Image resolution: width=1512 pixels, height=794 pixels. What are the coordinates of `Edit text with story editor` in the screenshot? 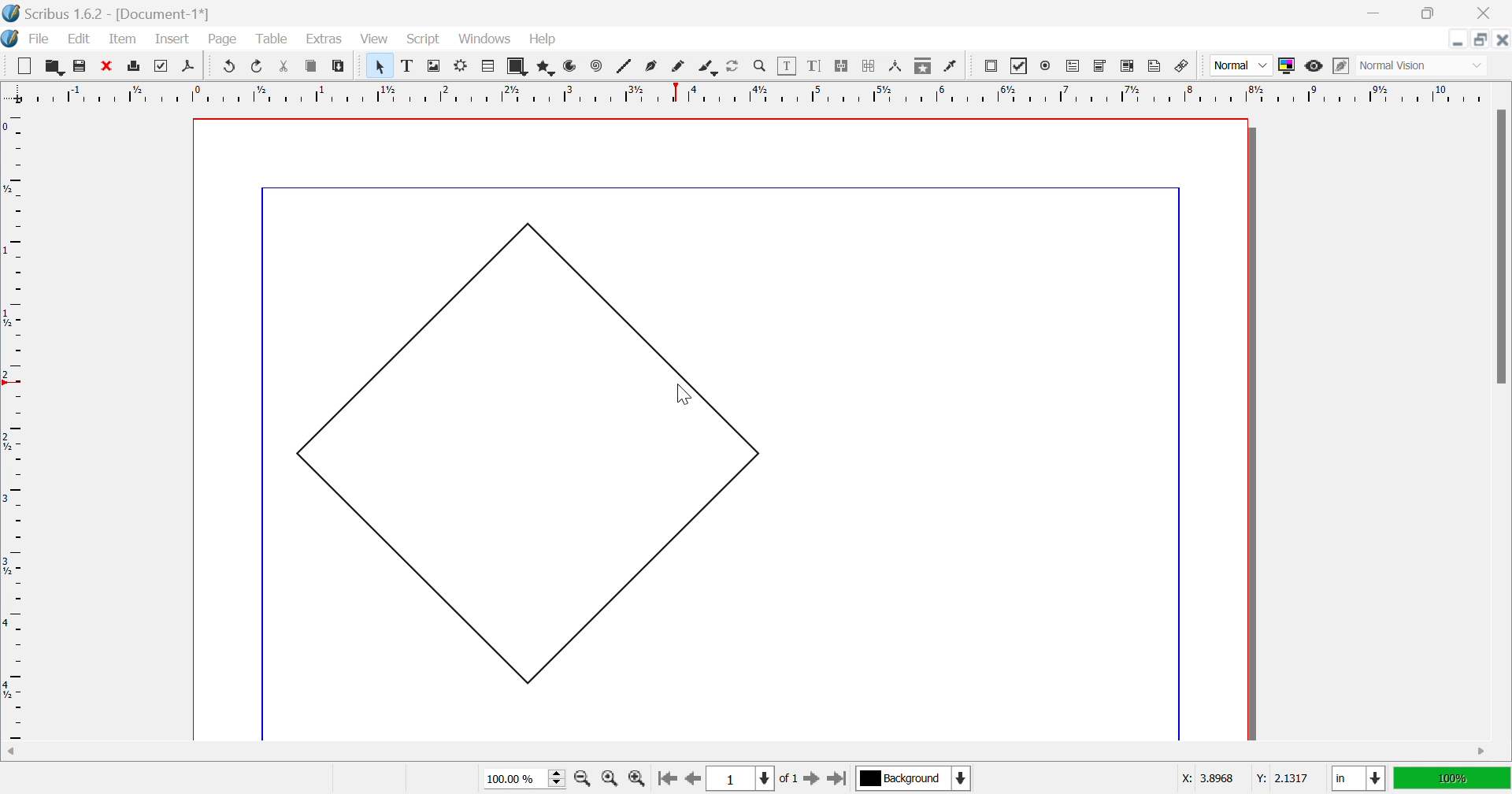 It's located at (813, 65).